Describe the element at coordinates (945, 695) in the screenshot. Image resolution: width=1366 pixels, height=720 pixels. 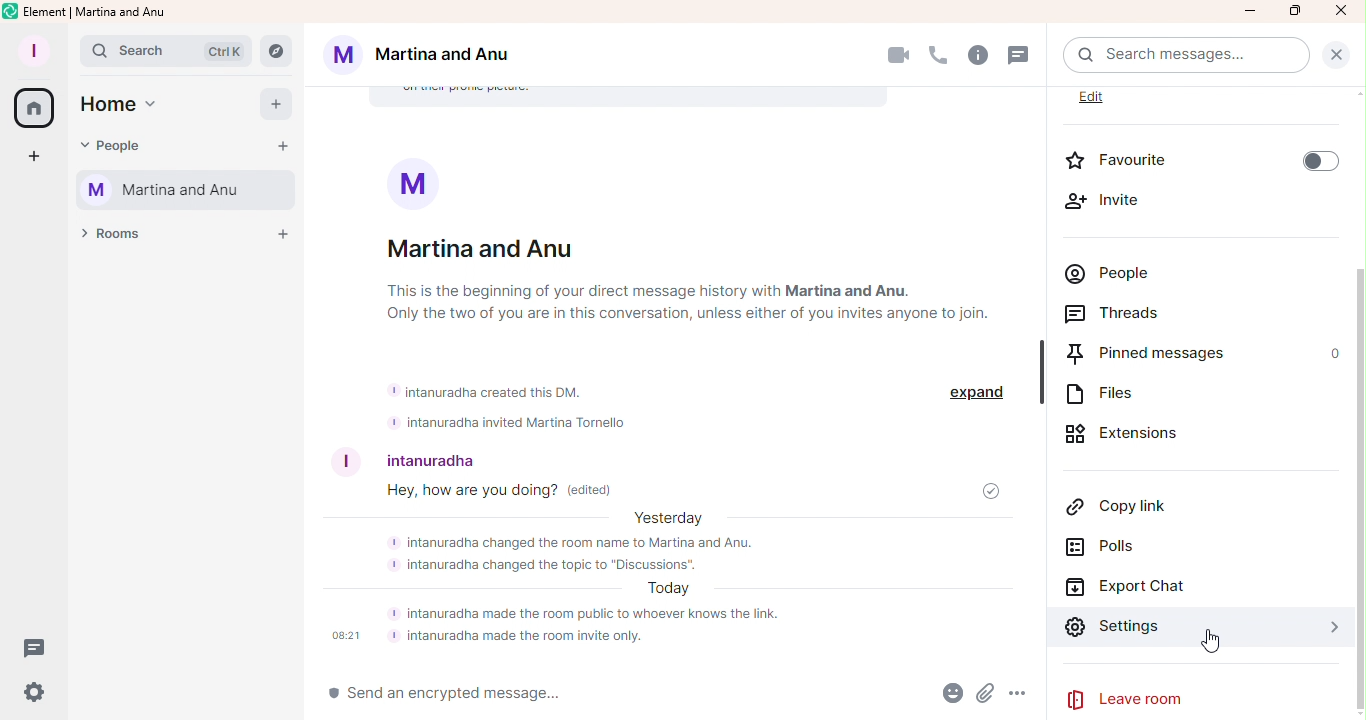
I see `Emoji` at that location.